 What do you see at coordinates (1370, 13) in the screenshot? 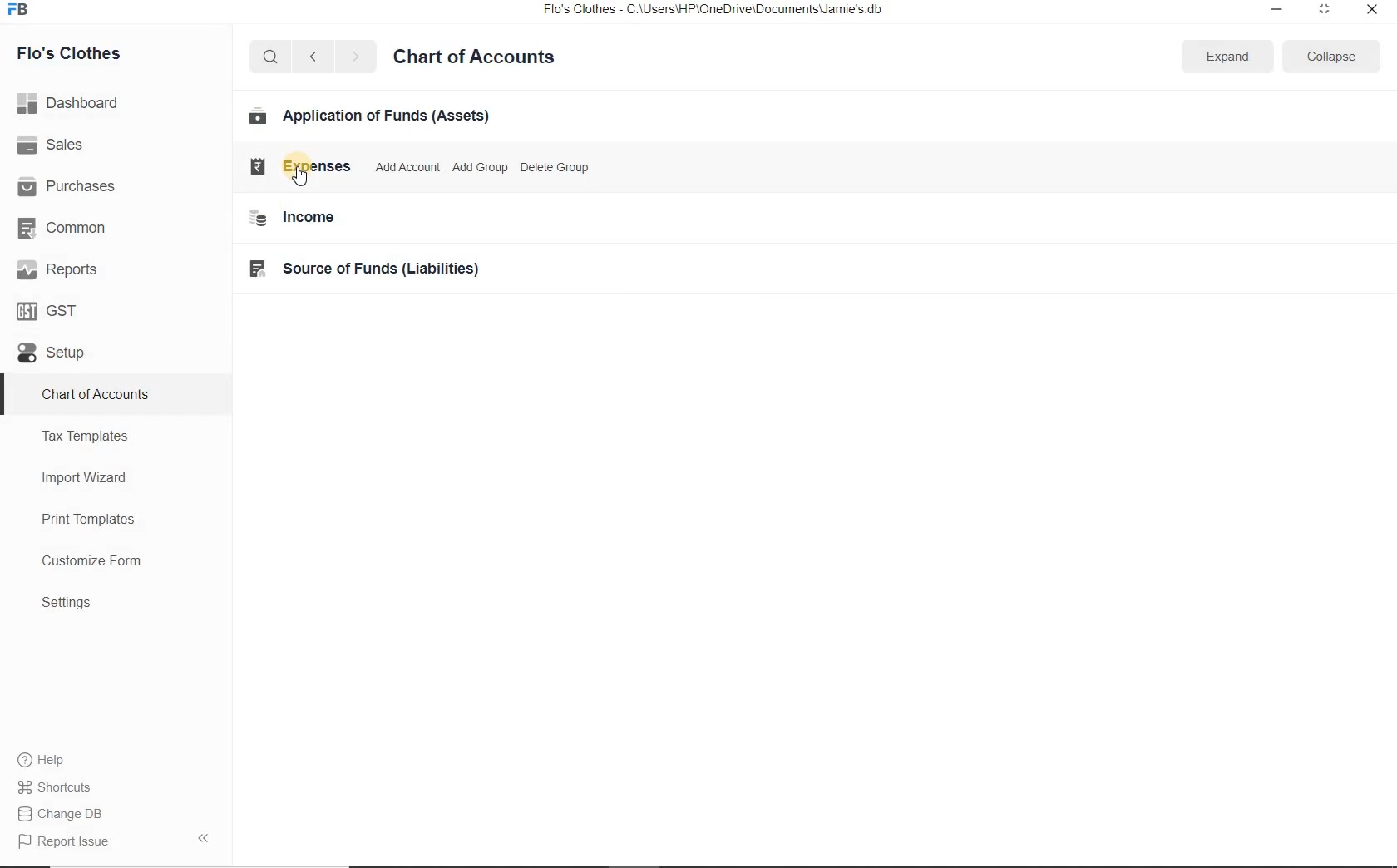
I see `close` at bounding box center [1370, 13].